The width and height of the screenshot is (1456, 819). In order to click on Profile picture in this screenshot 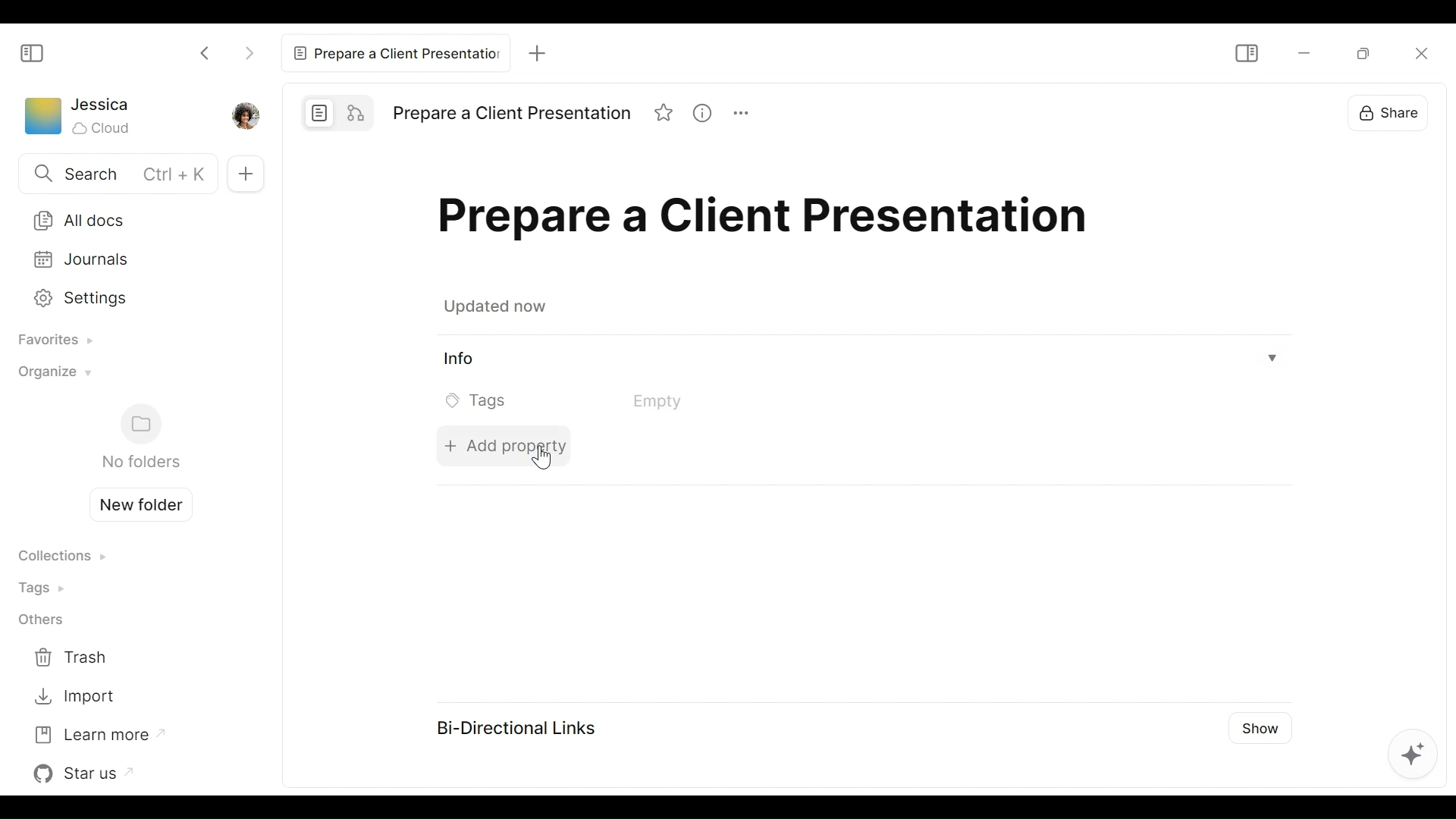, I will do `click(243, 115)`.